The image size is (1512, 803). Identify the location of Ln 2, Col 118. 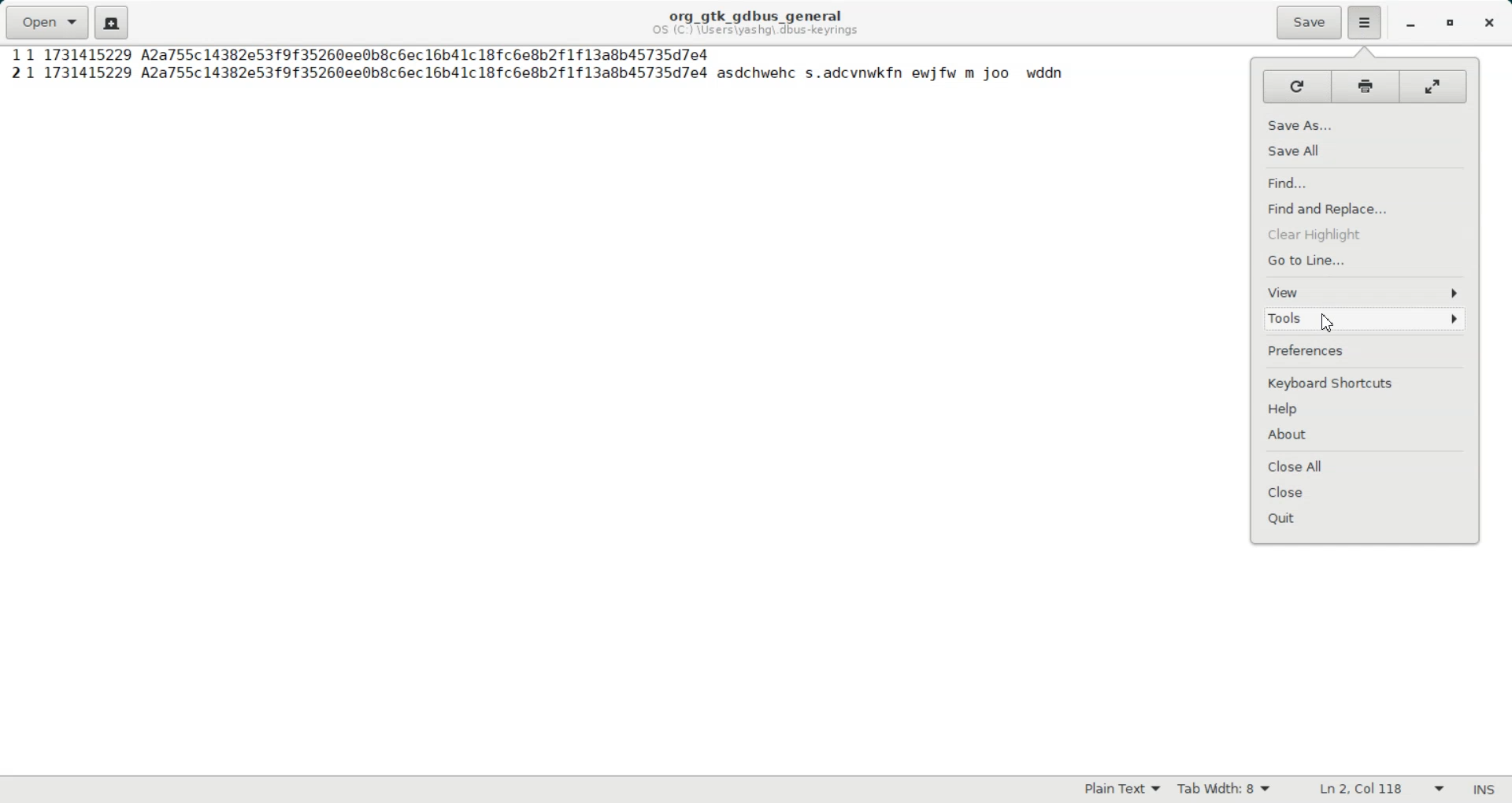
(1381, 789).